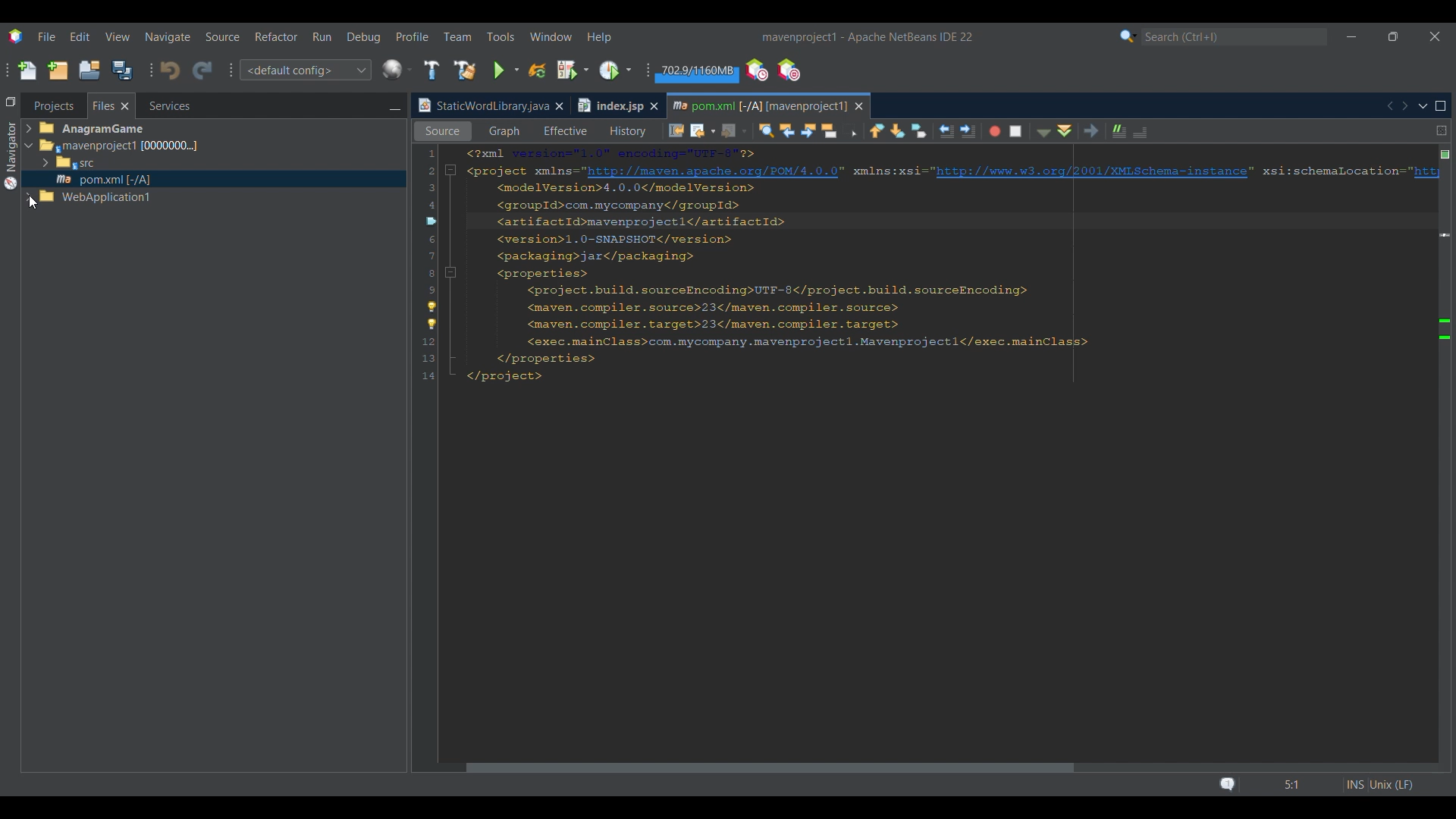  What do you see at coordinates (223, 37) in the screenshot?
I see `Source menu` at bounding box center [223, 37].